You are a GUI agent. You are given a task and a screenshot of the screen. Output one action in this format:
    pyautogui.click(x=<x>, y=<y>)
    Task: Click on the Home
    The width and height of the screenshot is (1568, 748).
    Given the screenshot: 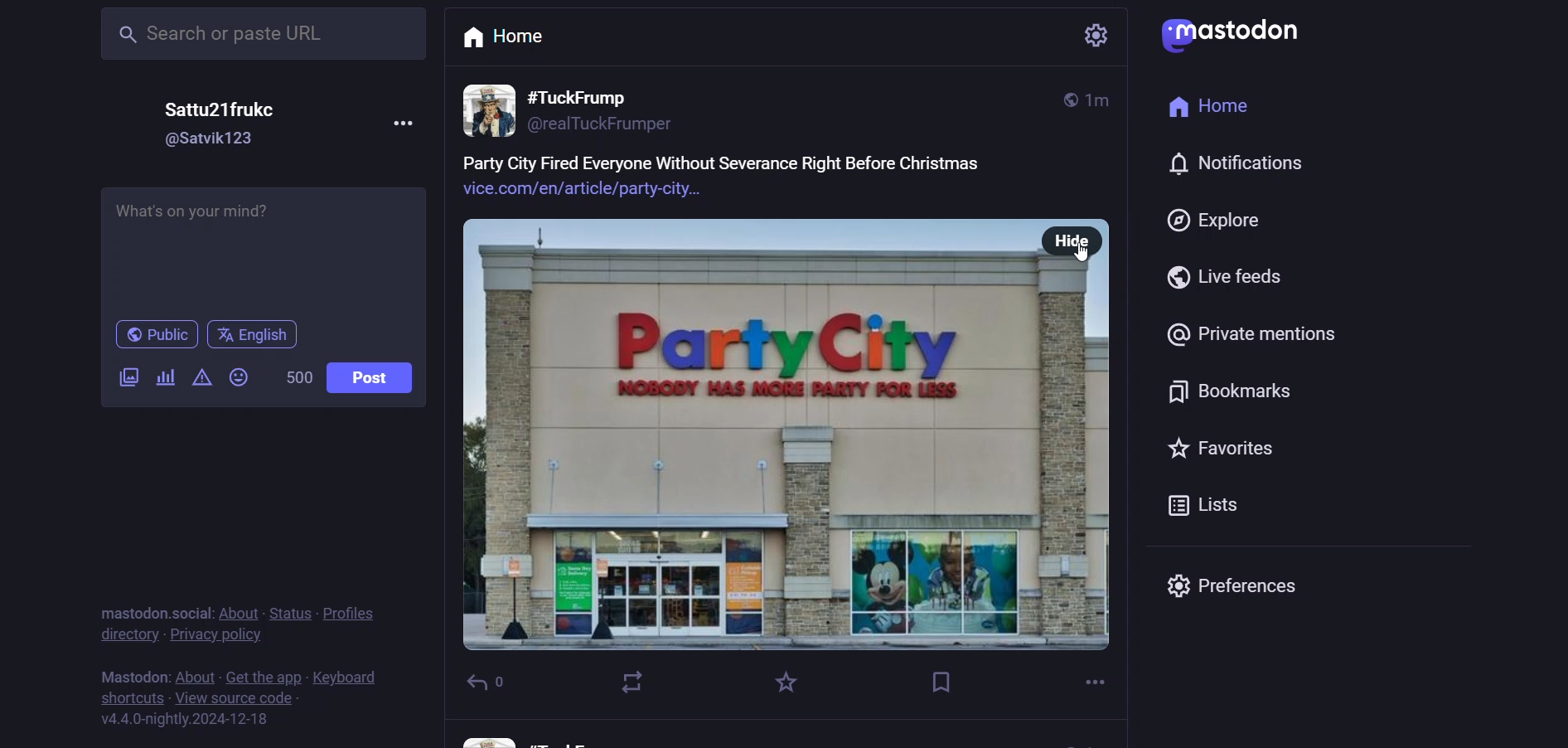 What is the action you would take?
    pyautogui.click(x=1211, y=108)
    